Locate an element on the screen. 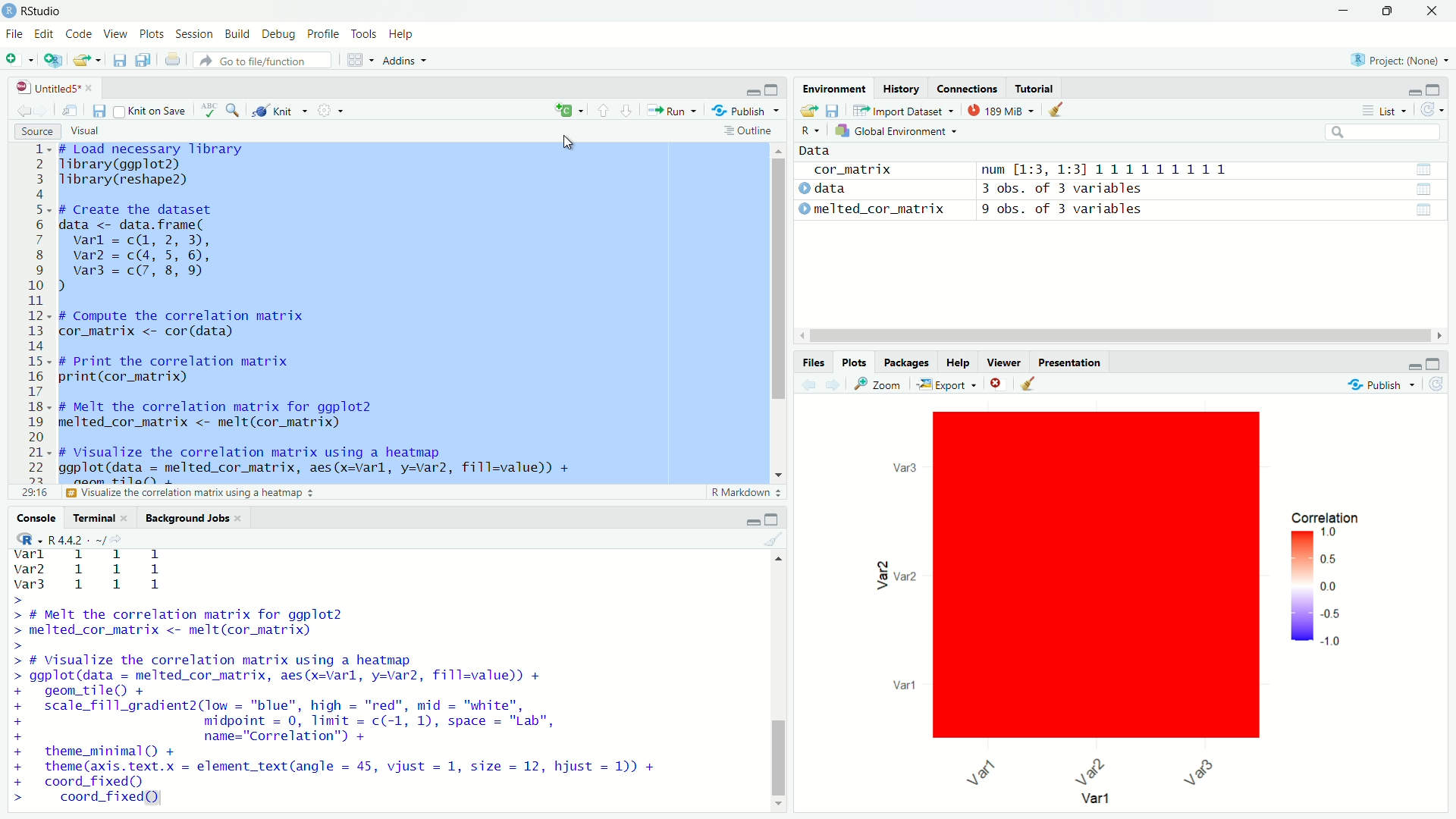  3obs of 3 variables is located at coordinates (1213, 190).